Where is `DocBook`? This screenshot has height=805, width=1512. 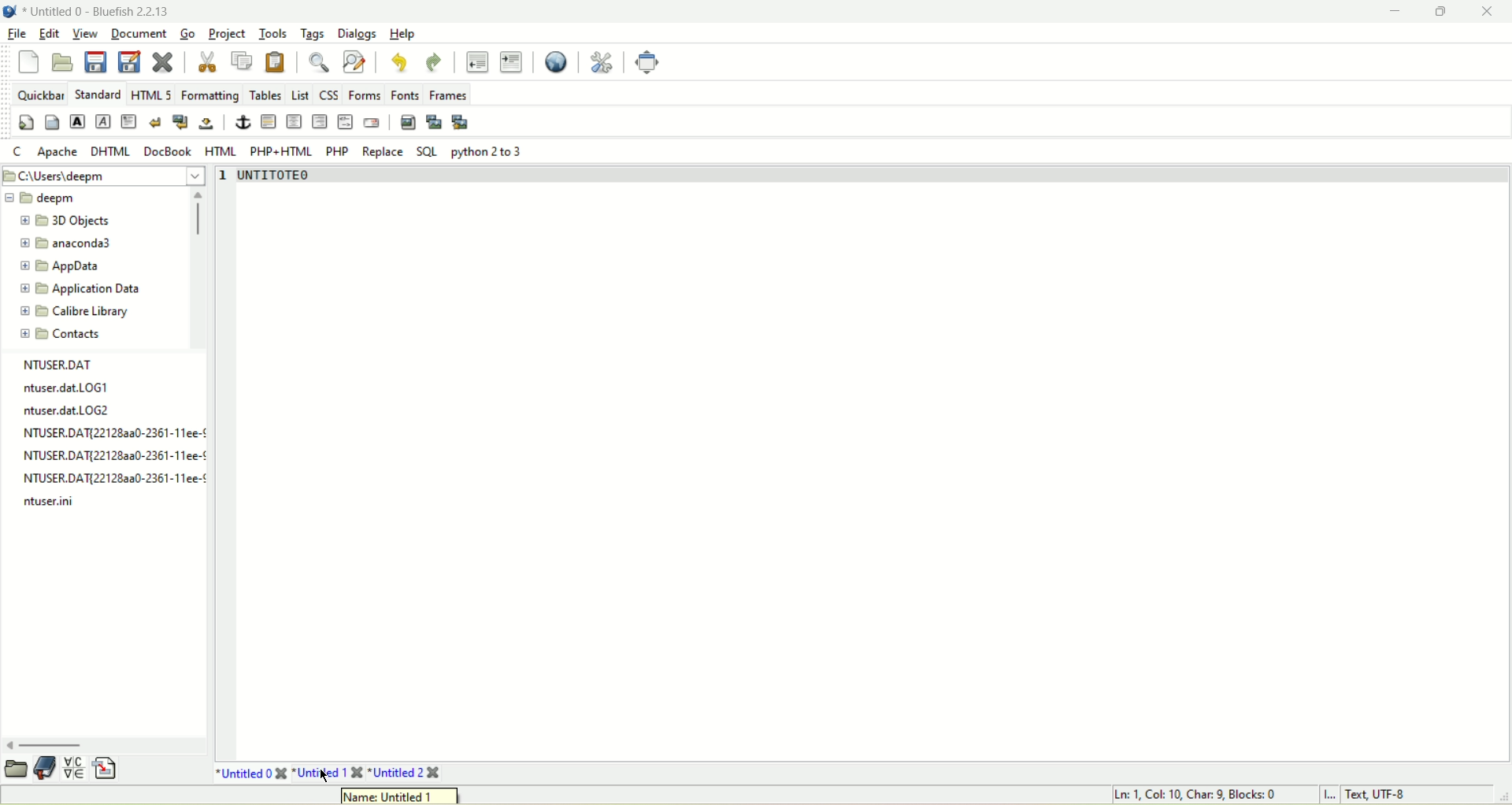
DocBook is located at coordinates (166, 150).